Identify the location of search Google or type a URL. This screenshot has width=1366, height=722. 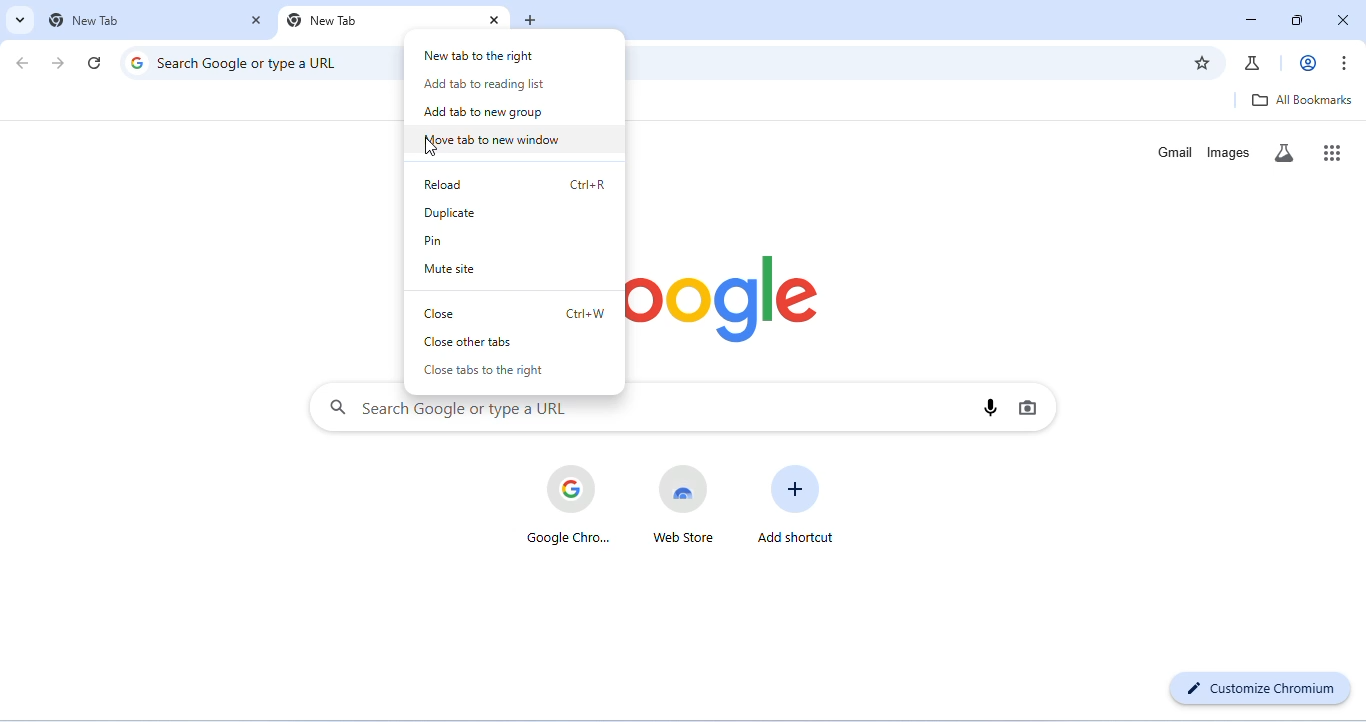
(251, 62).